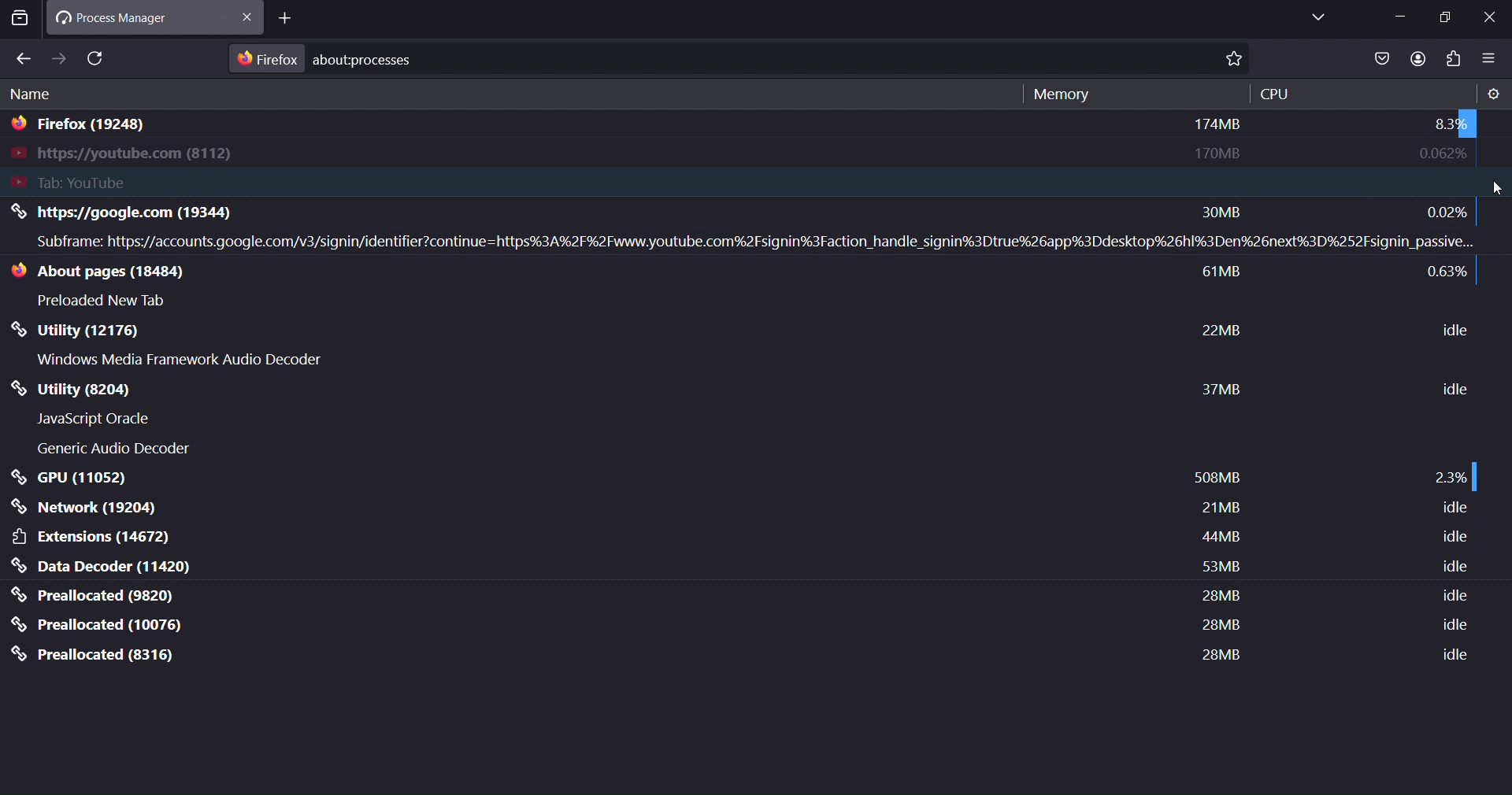  I want to click on preallocated, so click(97, 654).